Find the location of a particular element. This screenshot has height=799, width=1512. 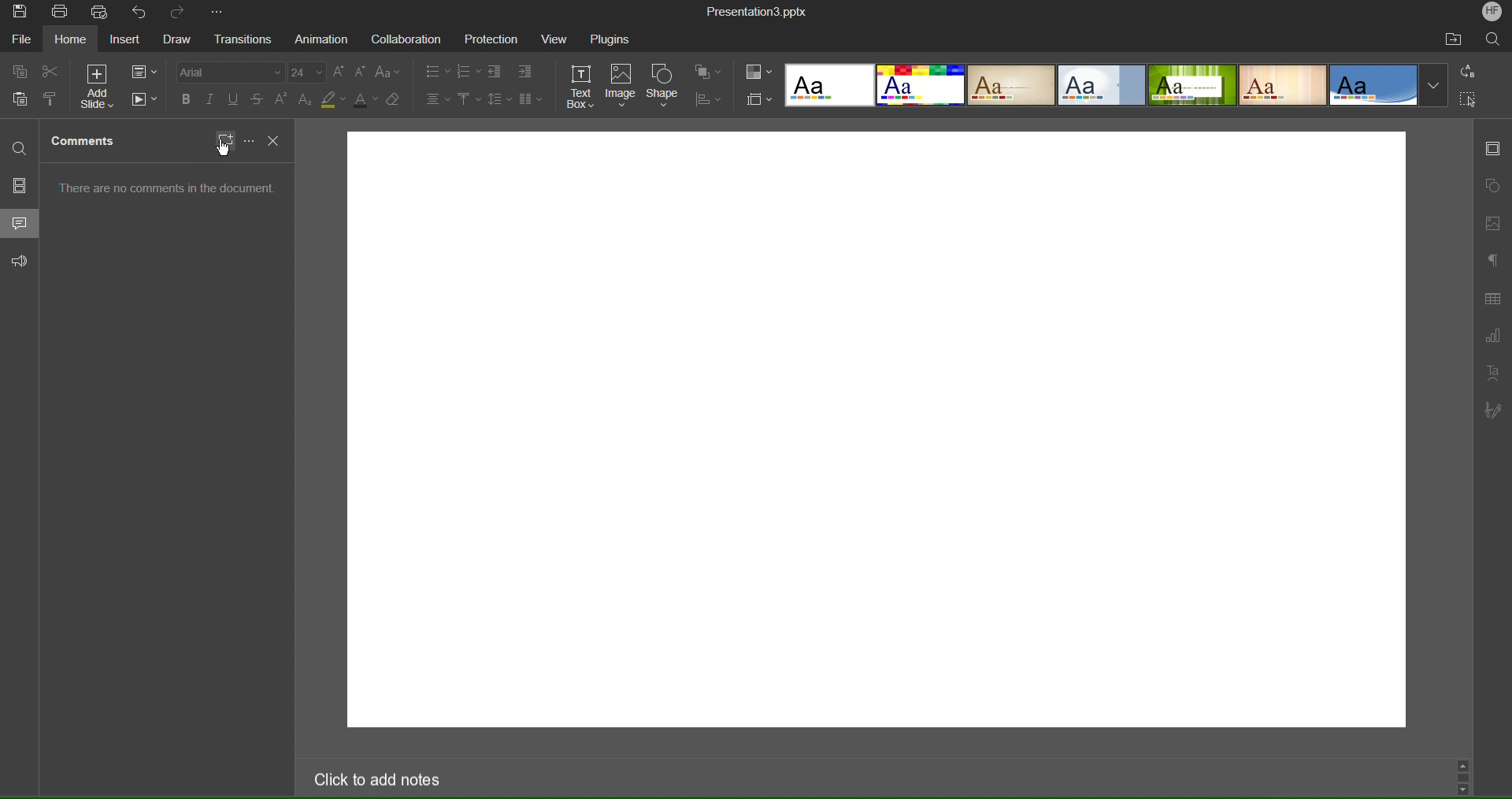

Strikethrough is located at coordinates (258, 100).